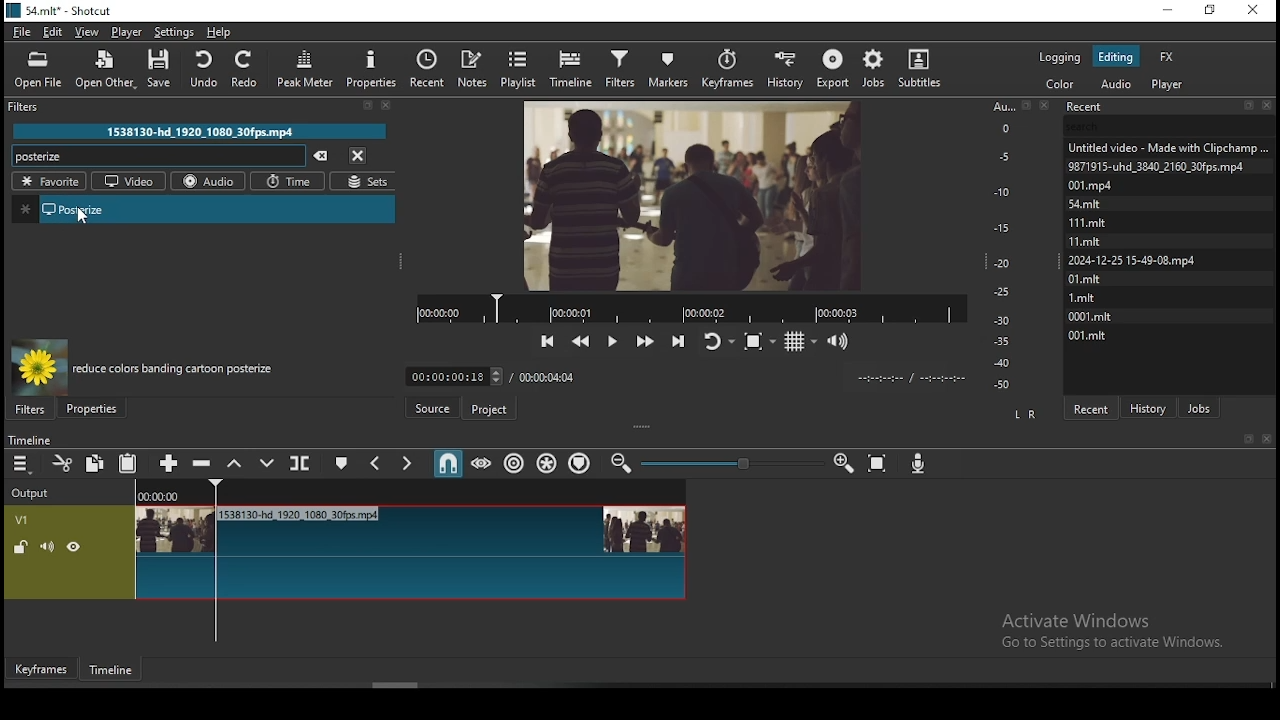 This screenshot has width=1280, height=720. What do you see at coordinates (1167, 11) in the screenshot?
I see `minimize` at bounding box center [1167, 11].